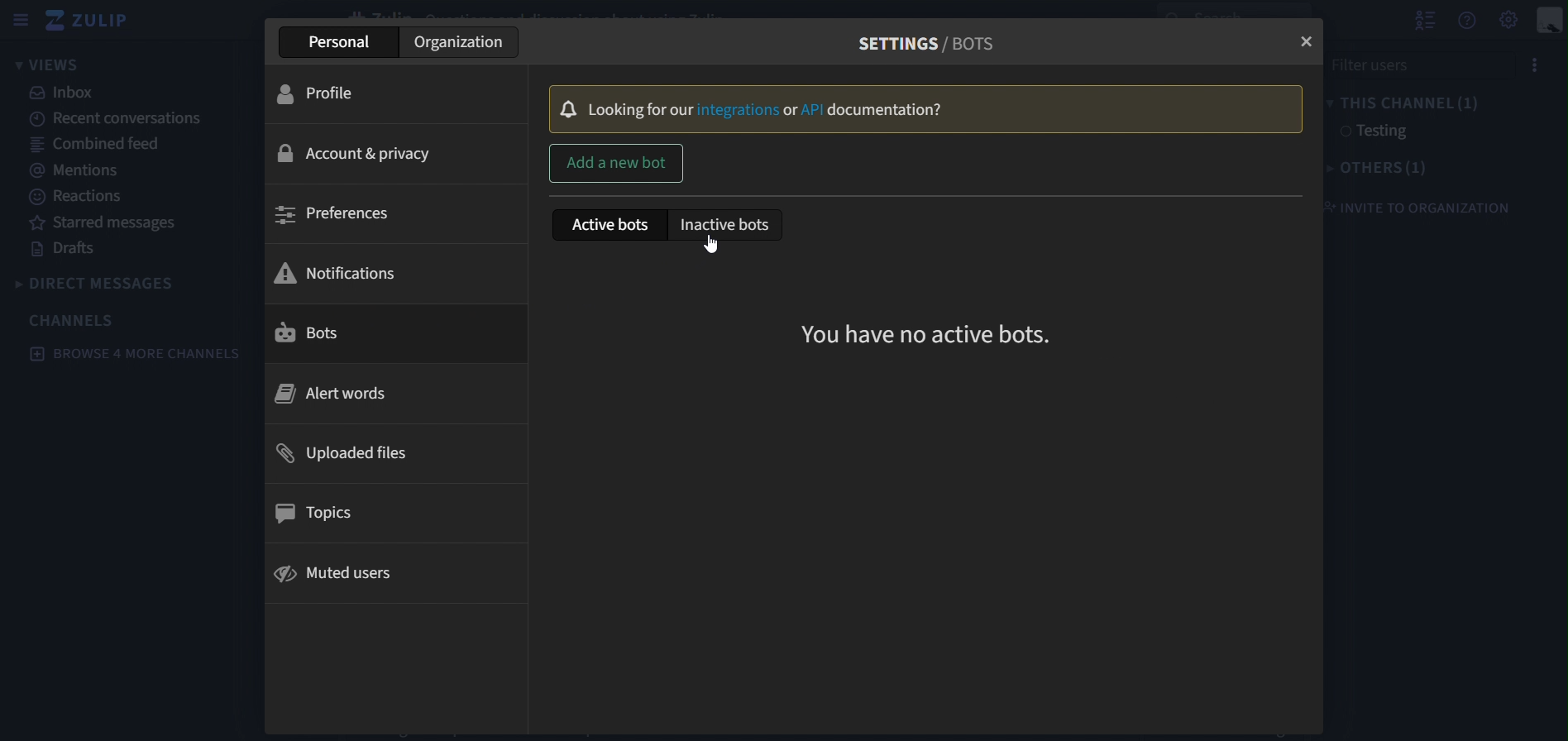  Describe the element at coordinates (1370, 169) in the screenshot. I see `others(1)` at that location.